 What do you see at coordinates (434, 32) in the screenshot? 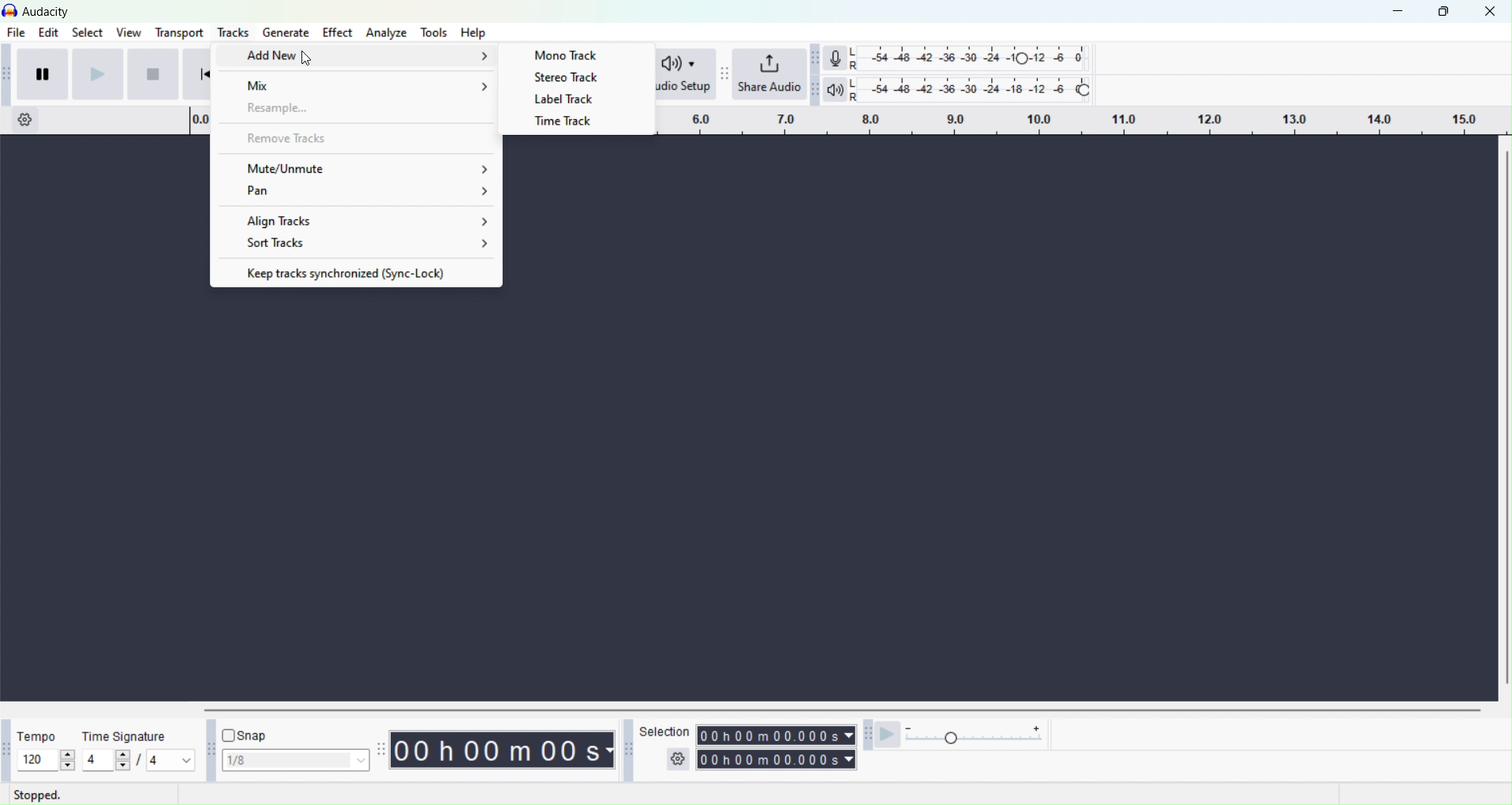
I see `Tools` at bounding box center [434, 32].